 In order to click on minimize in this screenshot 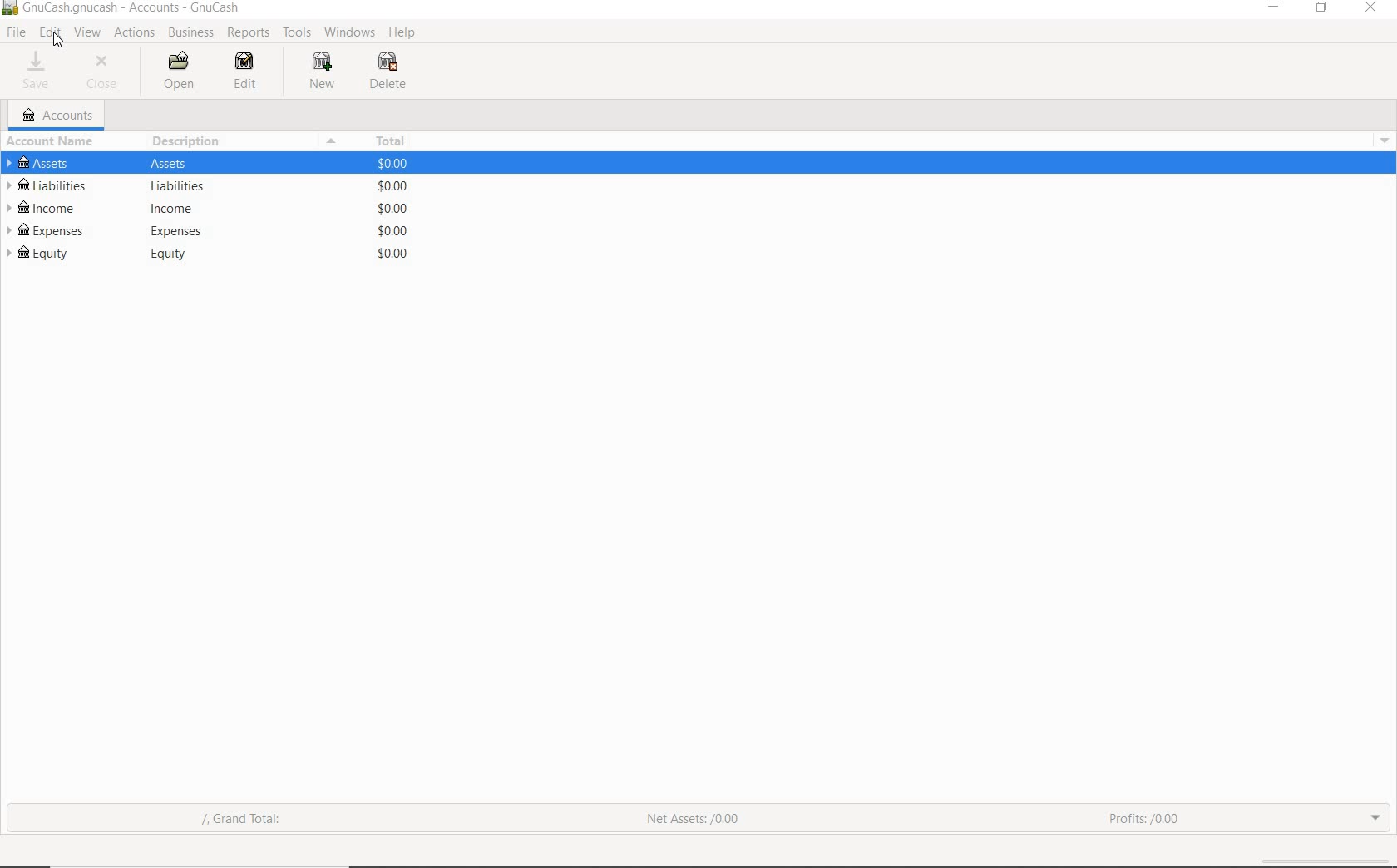, I will do `click(1271, 8)`.